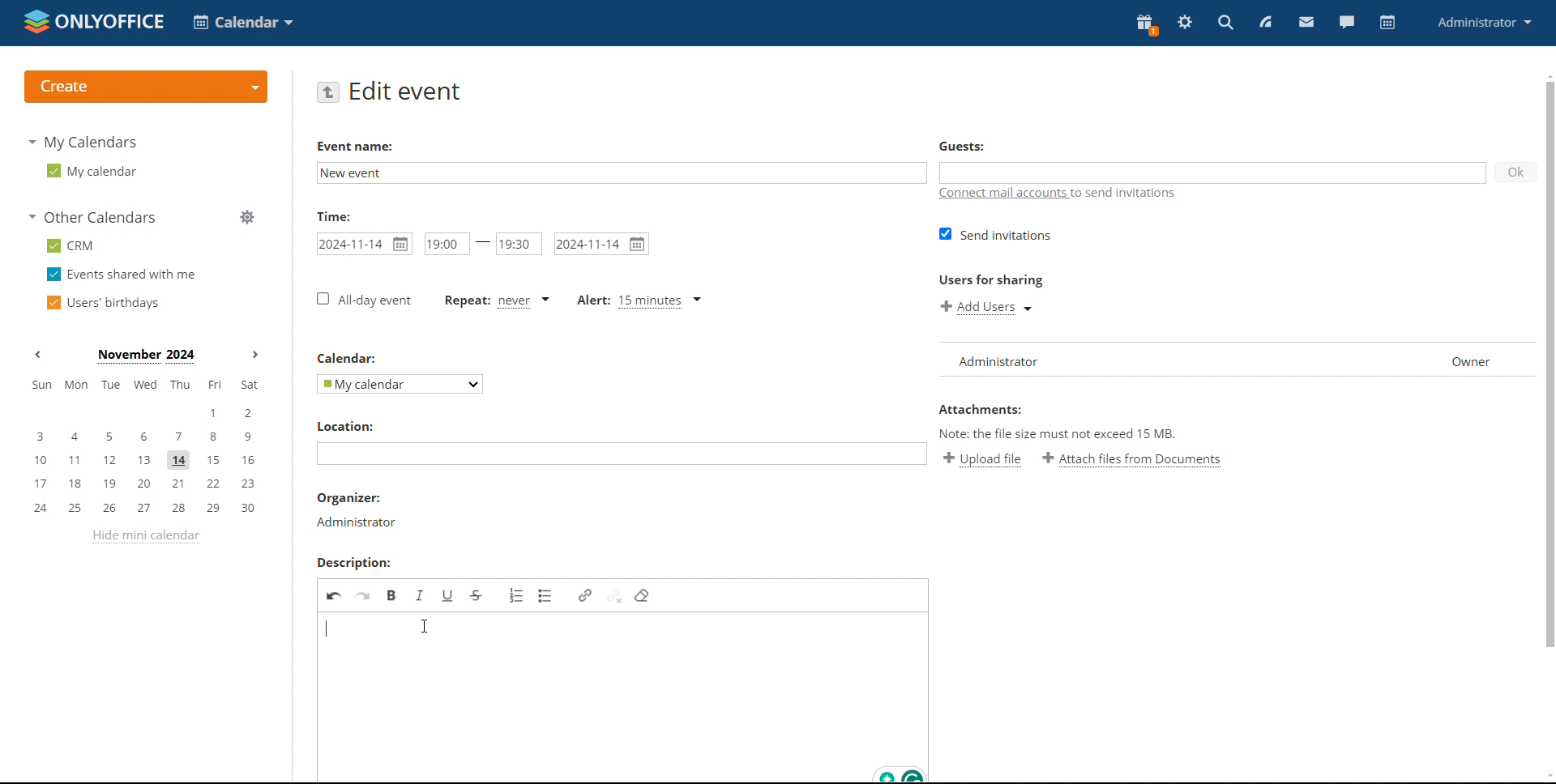 Image resolution: width=1556 pixels, height=784 pixels. Describe the element at coordinates (1485, 22) in the screenshot. I see `profile` at that location.